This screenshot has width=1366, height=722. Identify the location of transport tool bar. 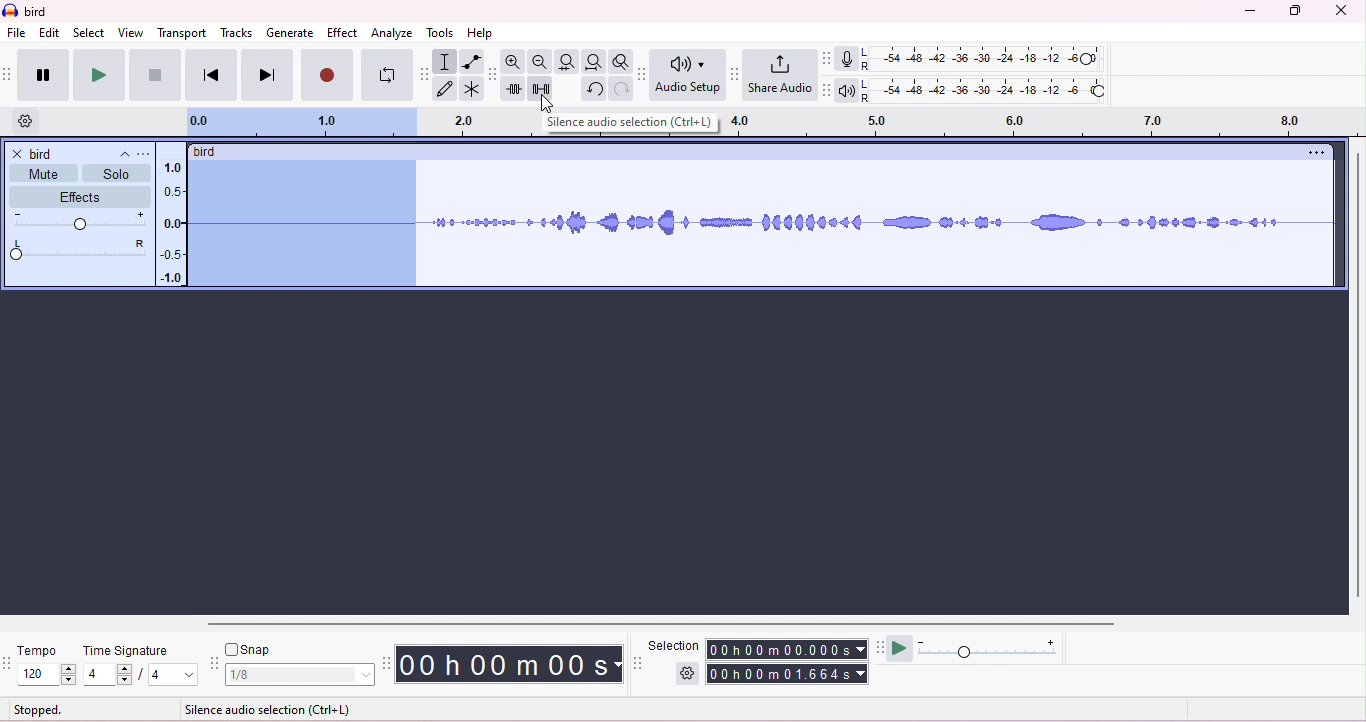
(9, 72).